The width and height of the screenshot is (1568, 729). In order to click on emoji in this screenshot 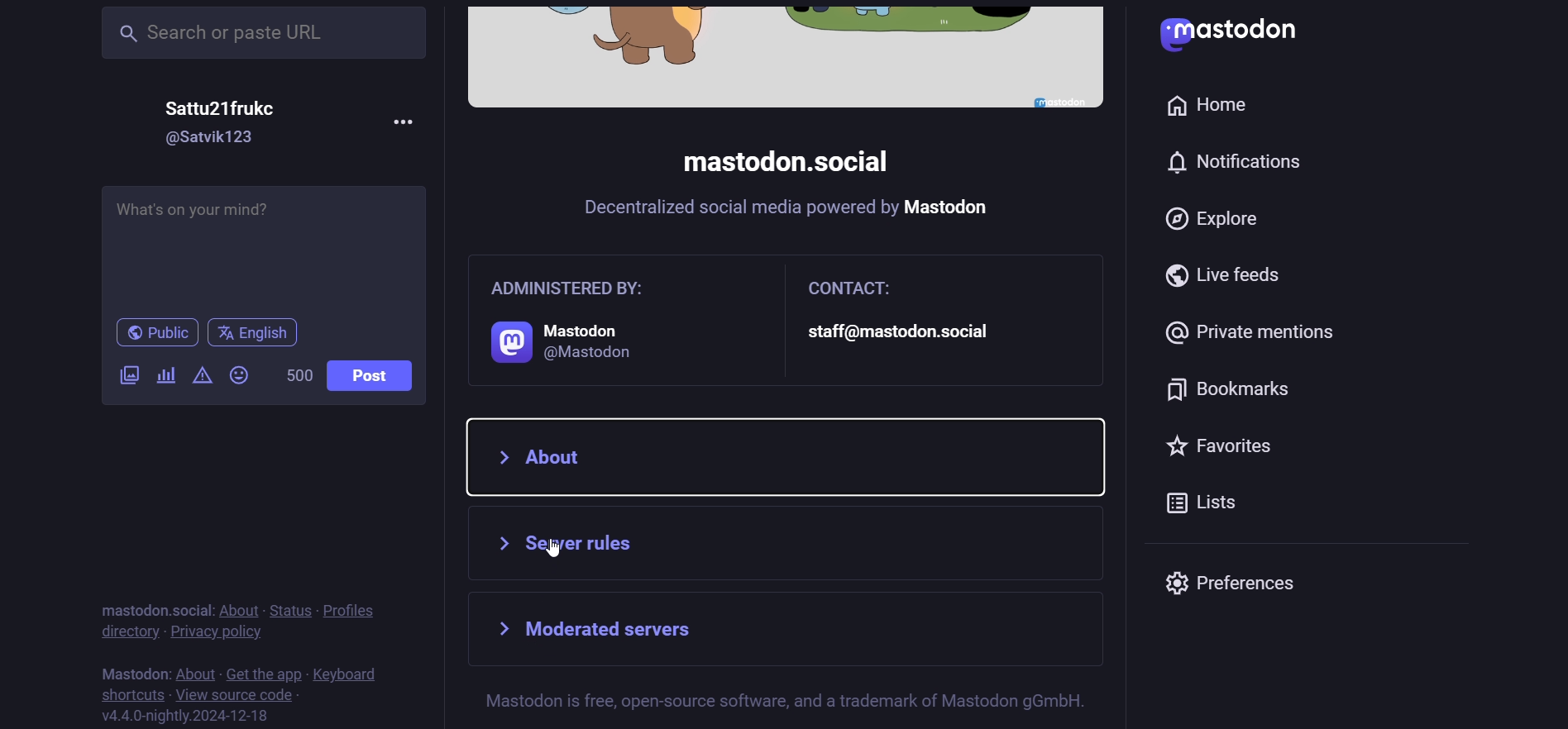, I will do `click(242, 374)`.